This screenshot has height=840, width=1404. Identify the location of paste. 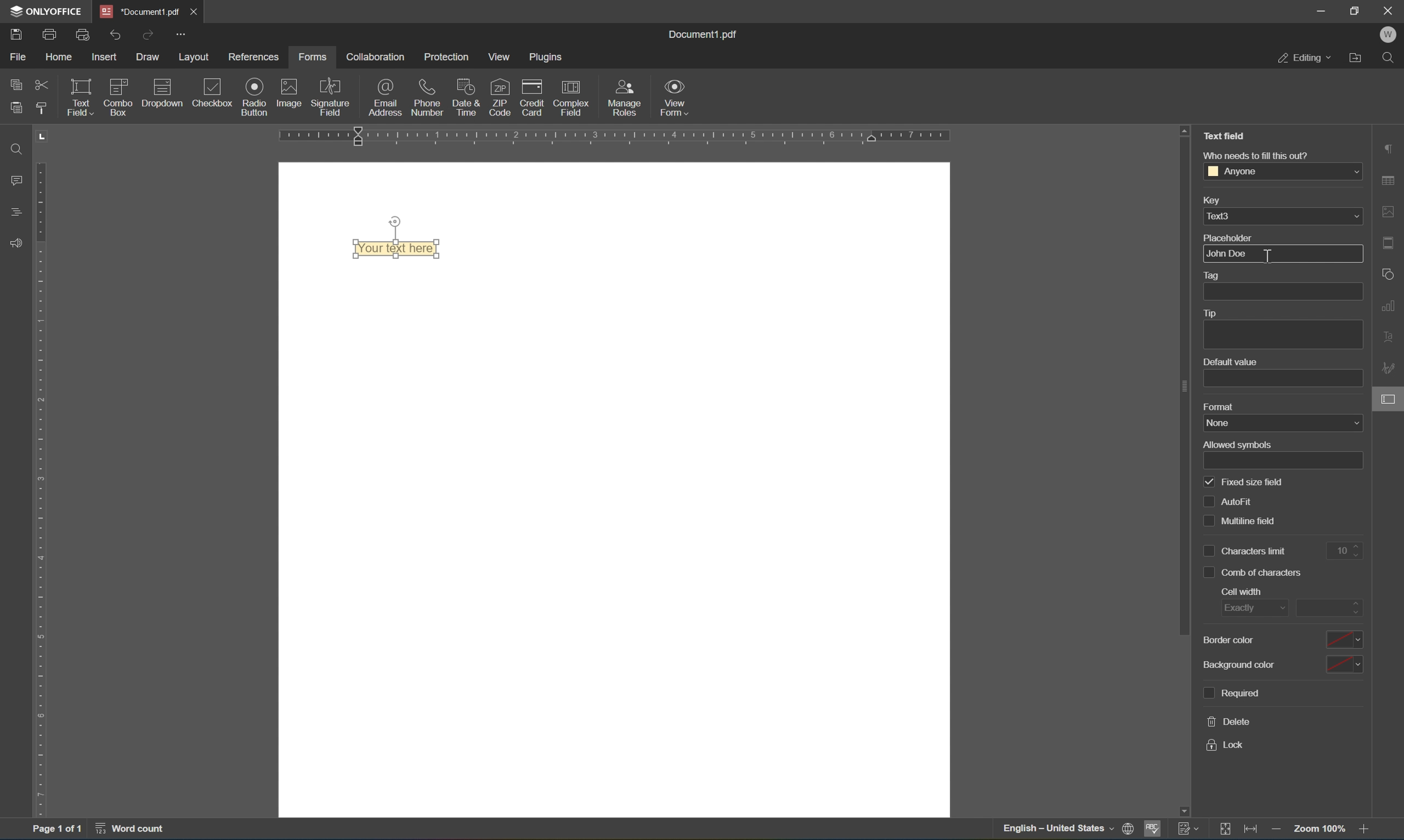
(16, 109).